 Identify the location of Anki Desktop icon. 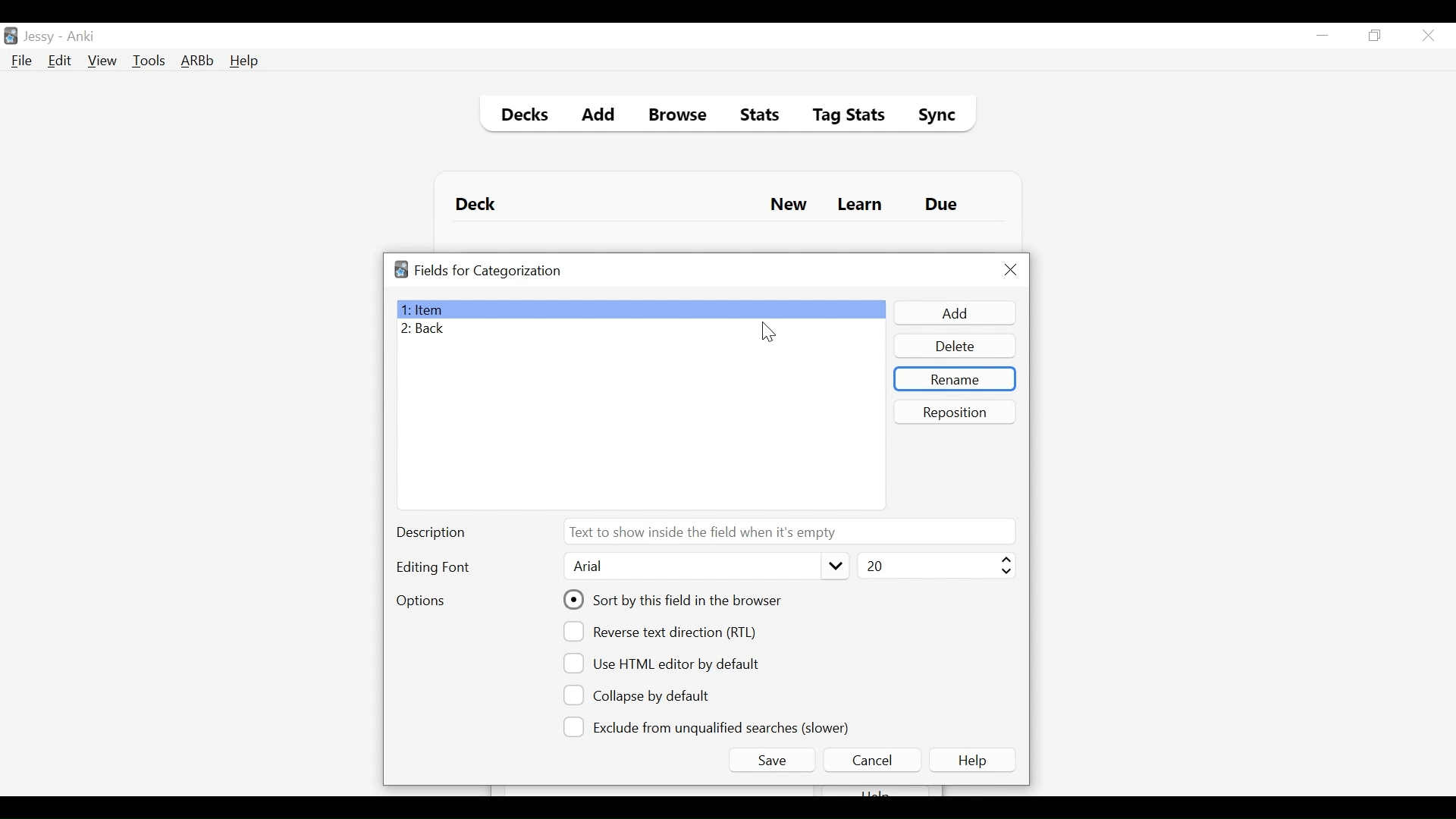
(11, 36).